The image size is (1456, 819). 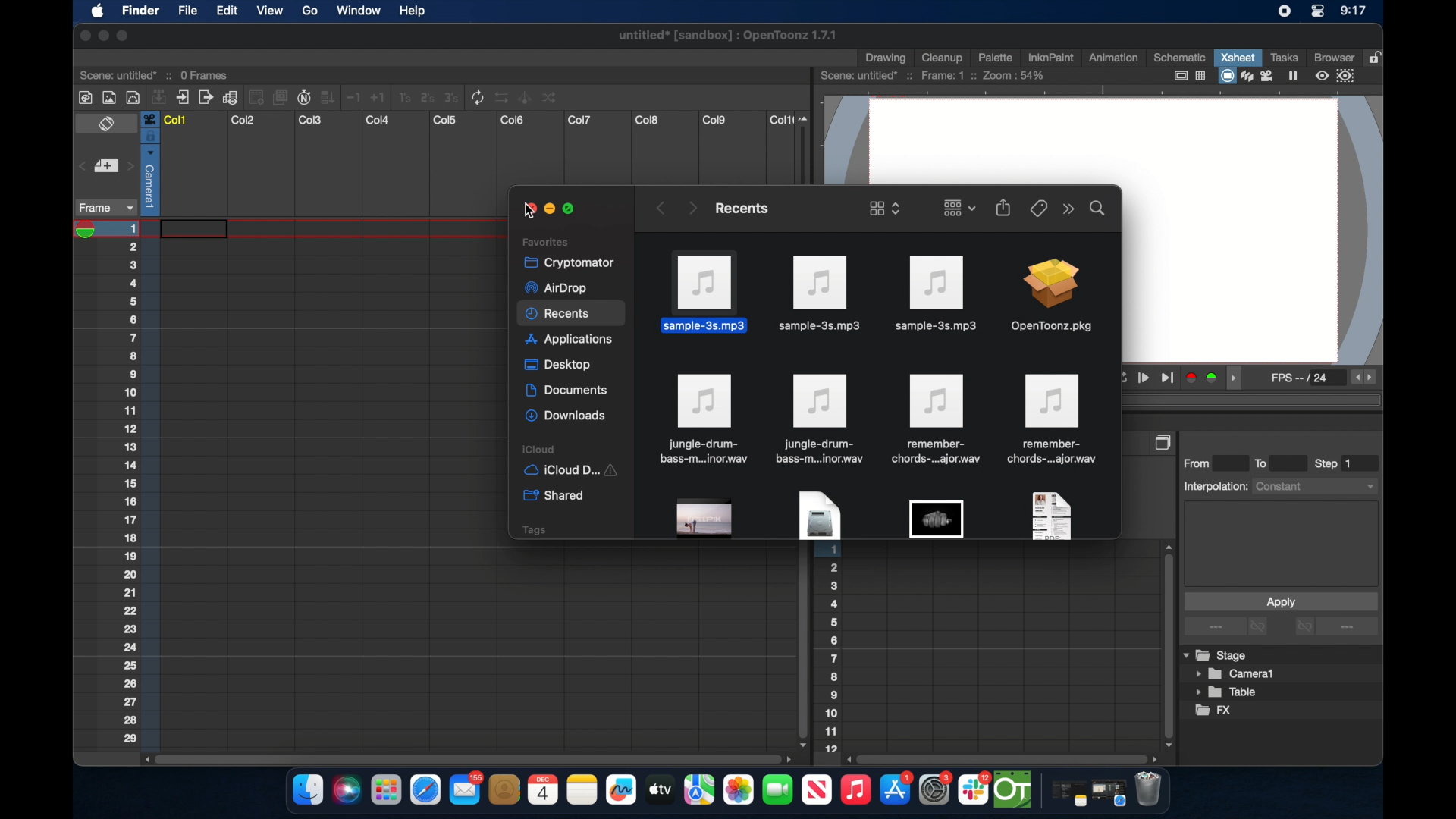 What do you see at coordinates (548, 209) in the screenshot?
I see `minimize` at bounding box center [548, 209].